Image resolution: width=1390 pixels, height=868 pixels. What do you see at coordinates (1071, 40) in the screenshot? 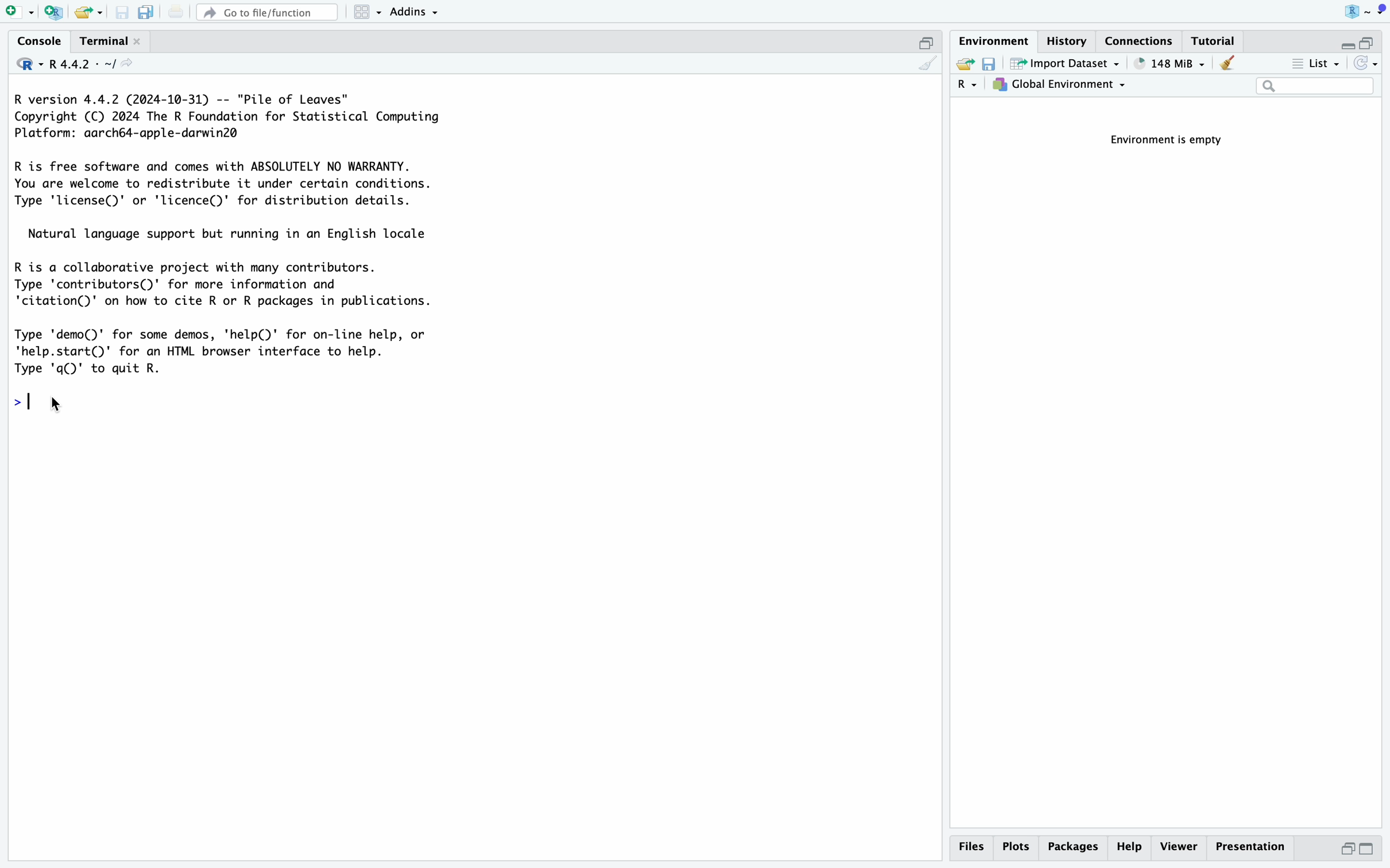
I see `history` at bounding box center [1071, 40].